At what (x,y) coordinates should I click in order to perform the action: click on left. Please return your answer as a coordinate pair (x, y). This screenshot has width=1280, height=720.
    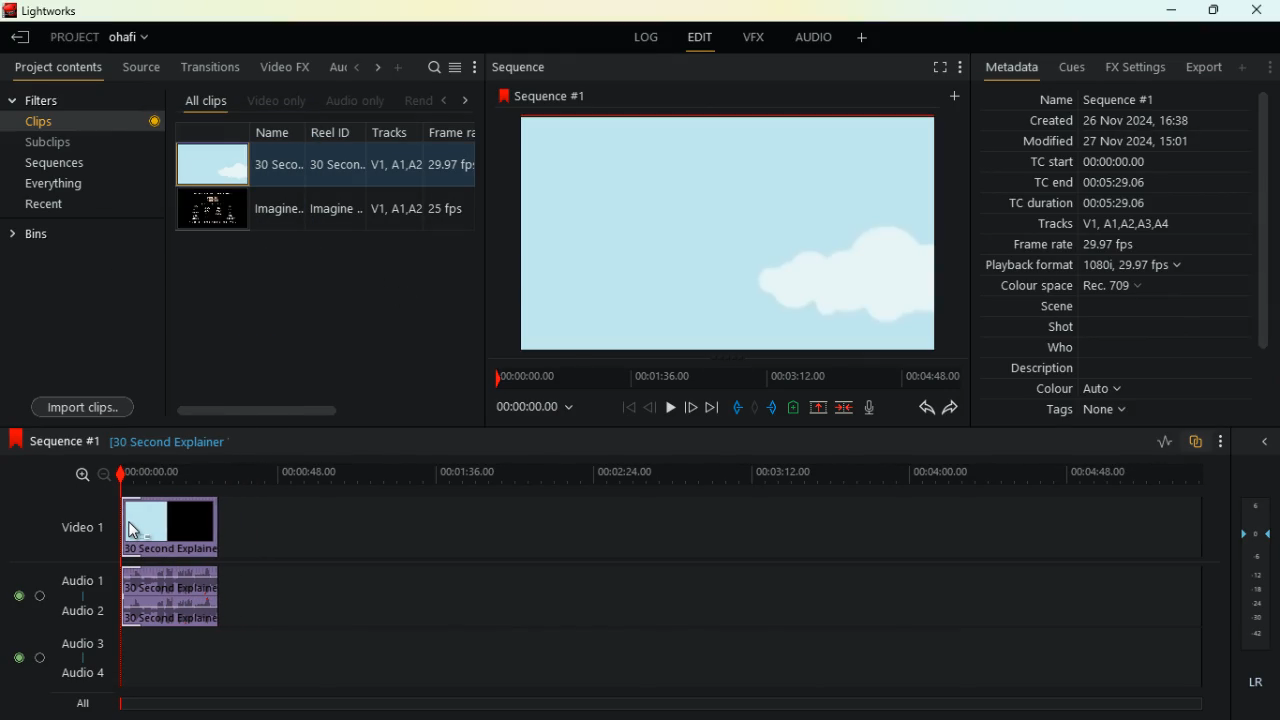
    Looking at the image, I should click on (356, 68).